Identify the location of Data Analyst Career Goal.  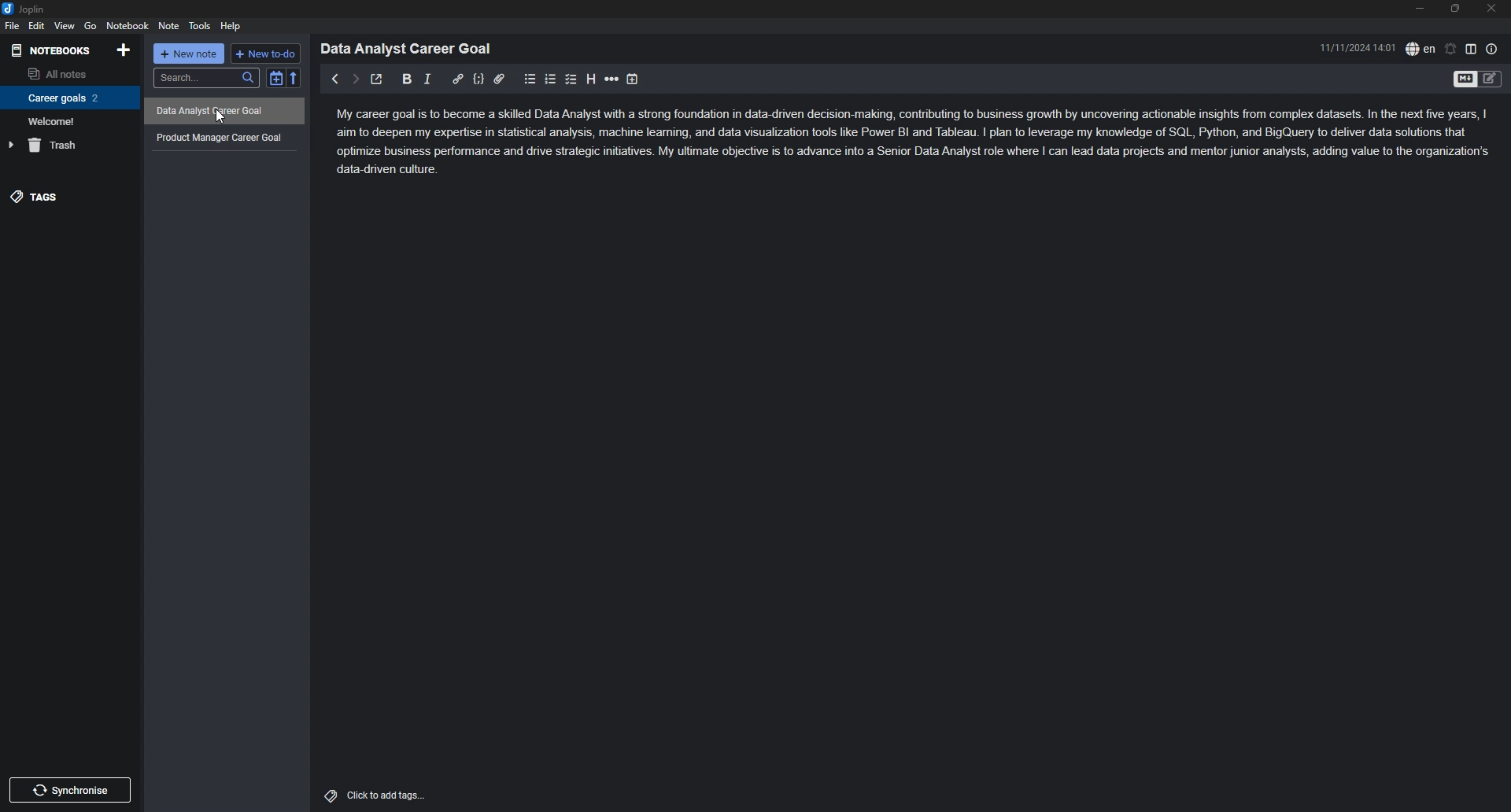
(224, 112).